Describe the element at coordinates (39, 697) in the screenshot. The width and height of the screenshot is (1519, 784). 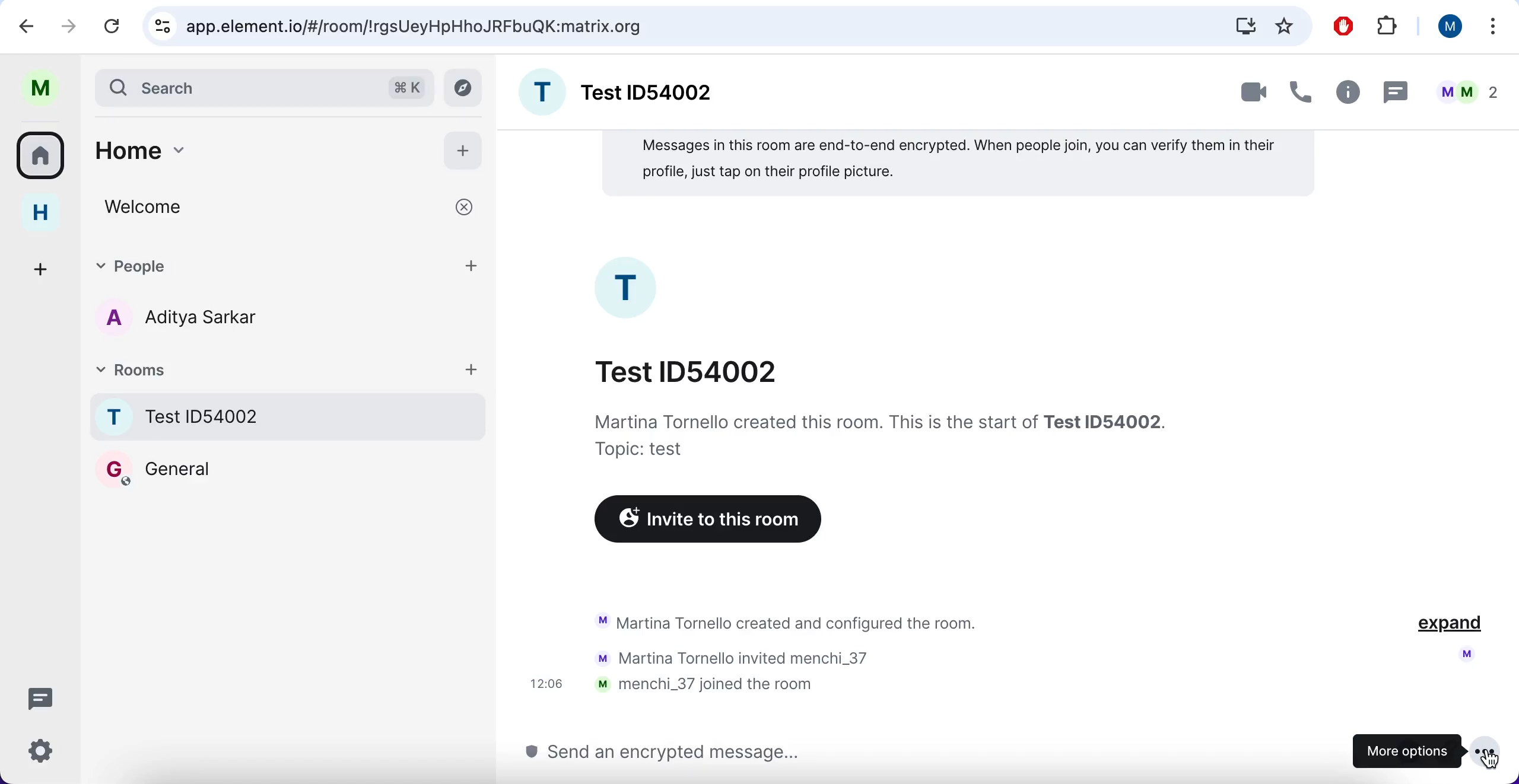
I see `threads` at that location.